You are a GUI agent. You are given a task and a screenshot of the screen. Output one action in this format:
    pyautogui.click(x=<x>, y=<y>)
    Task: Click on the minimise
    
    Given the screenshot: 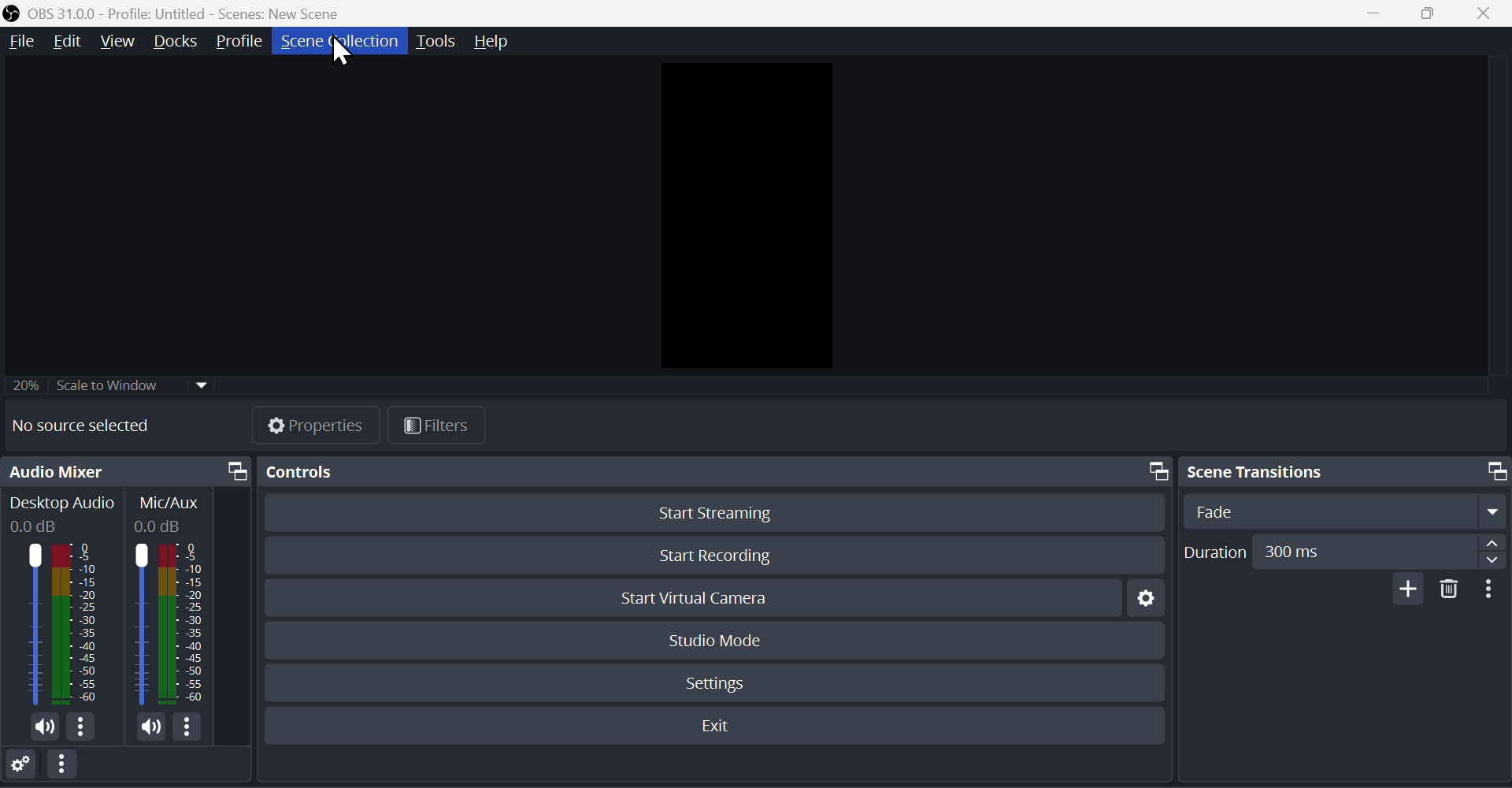 What is the action you would take?
    pyautogui.click(x=1379, y=15)
    